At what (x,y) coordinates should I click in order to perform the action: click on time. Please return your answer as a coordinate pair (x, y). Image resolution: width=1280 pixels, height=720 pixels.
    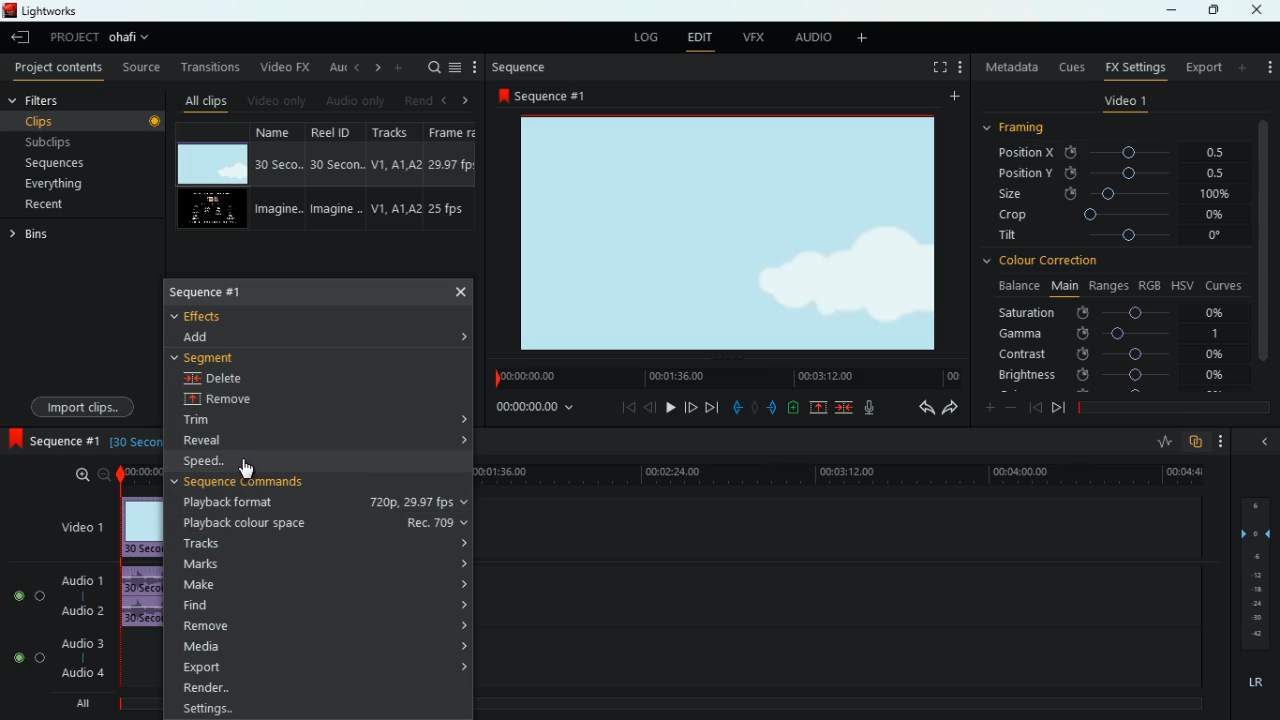
    Looking at the image, I should click on (837, 474).